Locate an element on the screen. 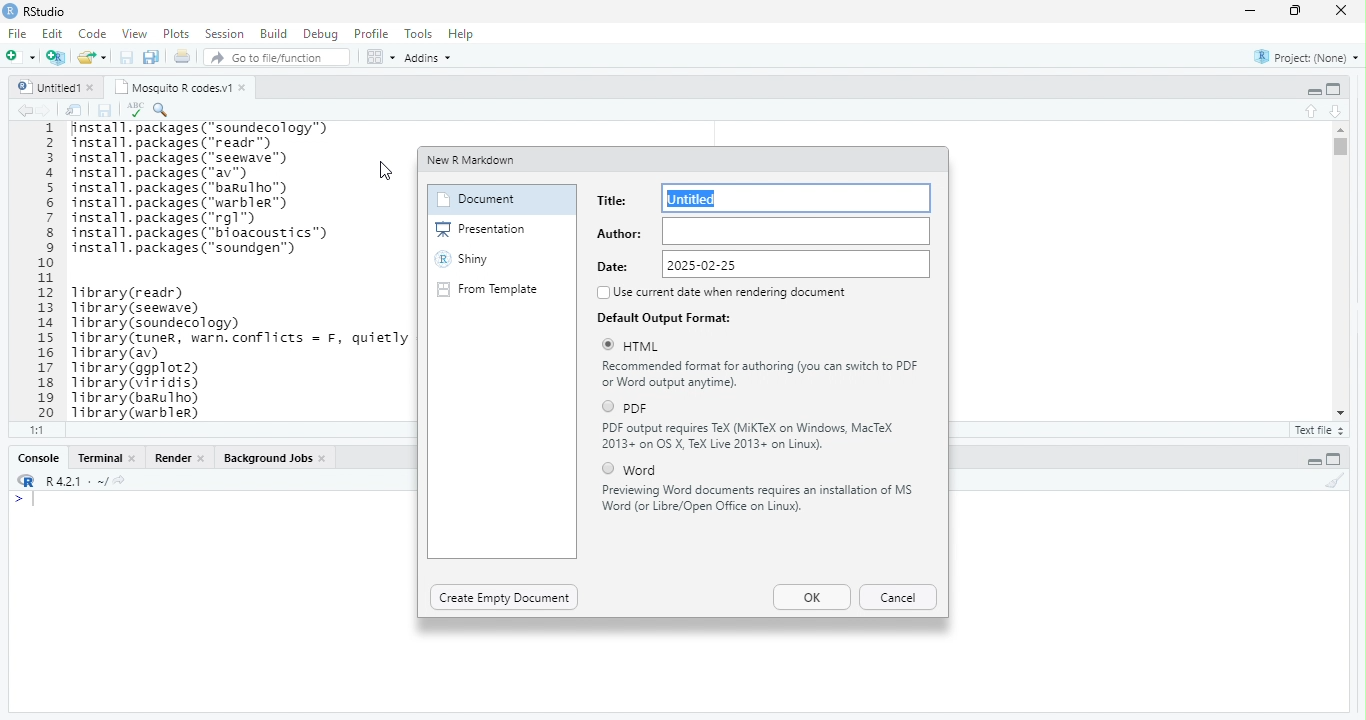 This screenshot has height=720, width=1366. Project: (None) is located at coordinates (1307, 58).